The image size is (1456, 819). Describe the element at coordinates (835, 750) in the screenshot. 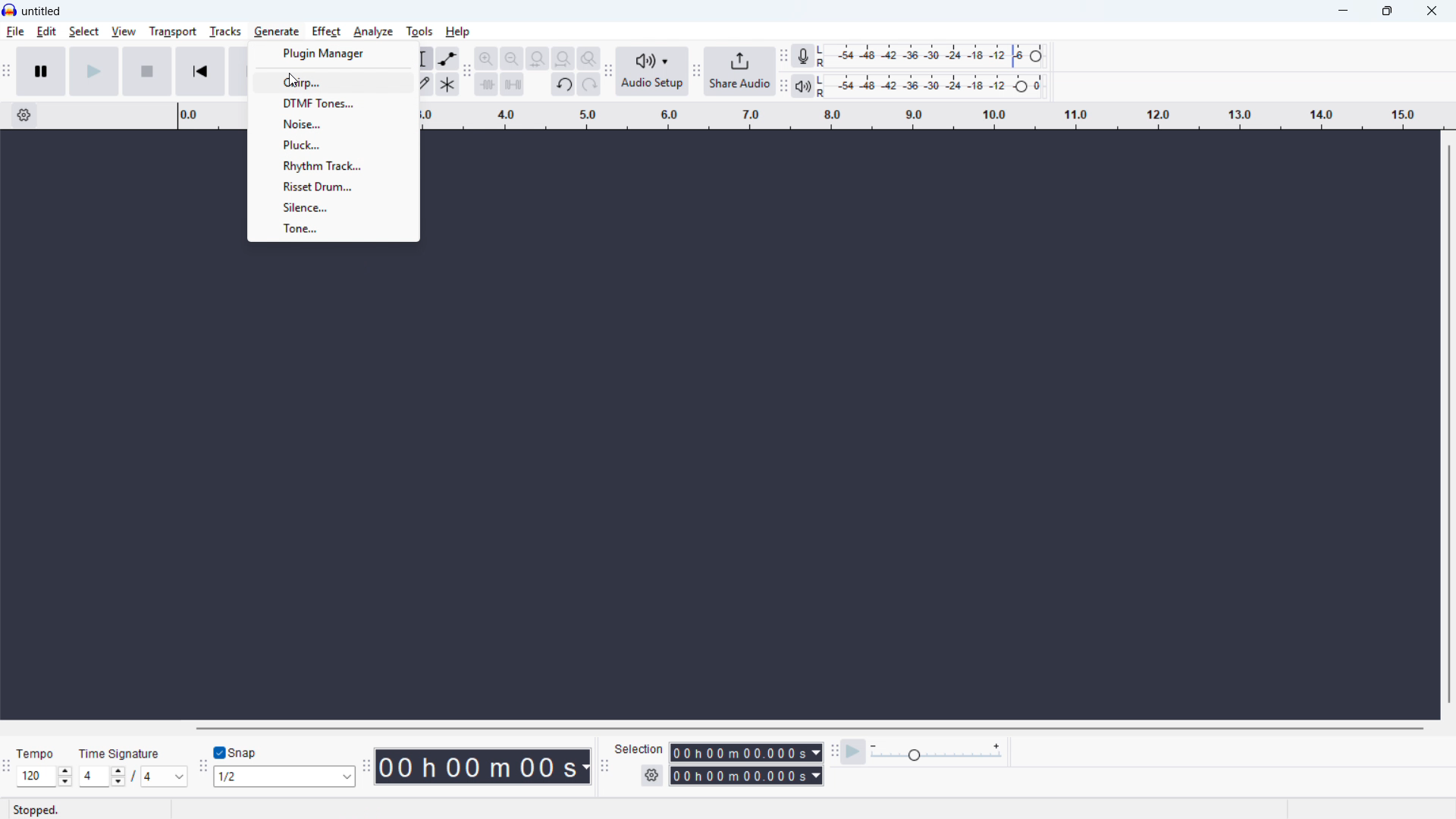

I see `Play at speed toolbar ` at that location.